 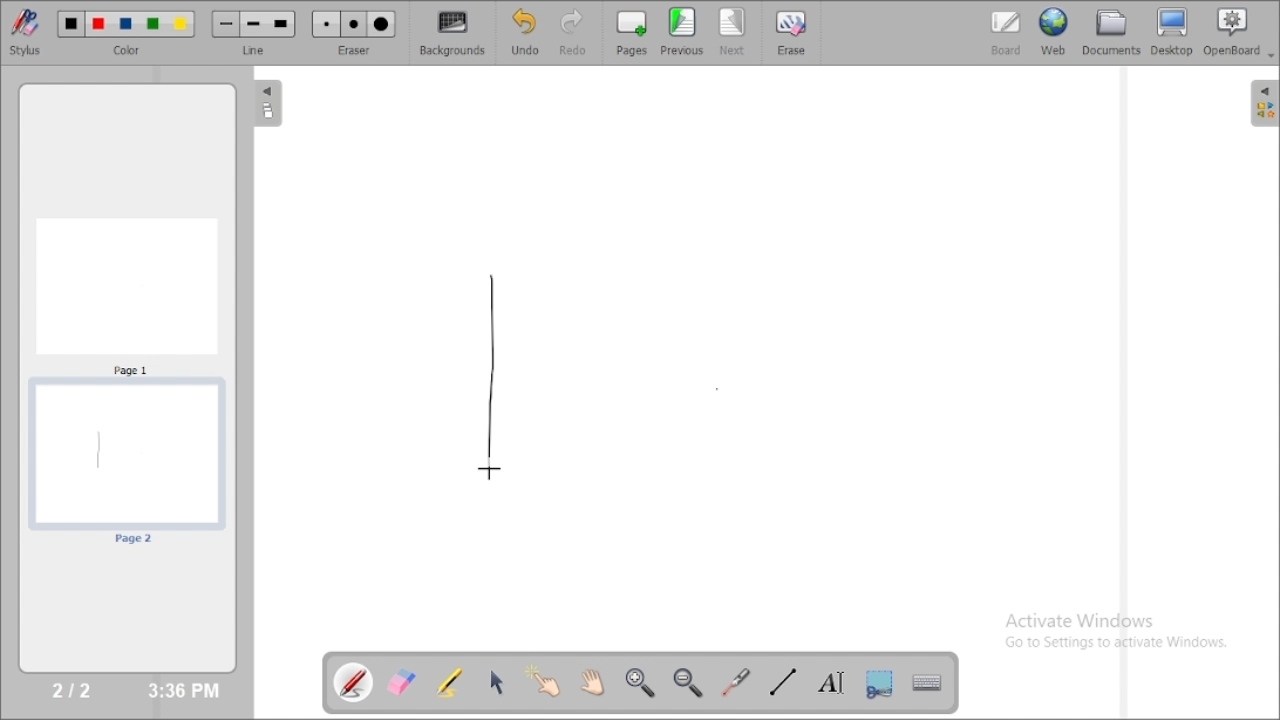 I want to click on Large line, so click(x=282, y=25).